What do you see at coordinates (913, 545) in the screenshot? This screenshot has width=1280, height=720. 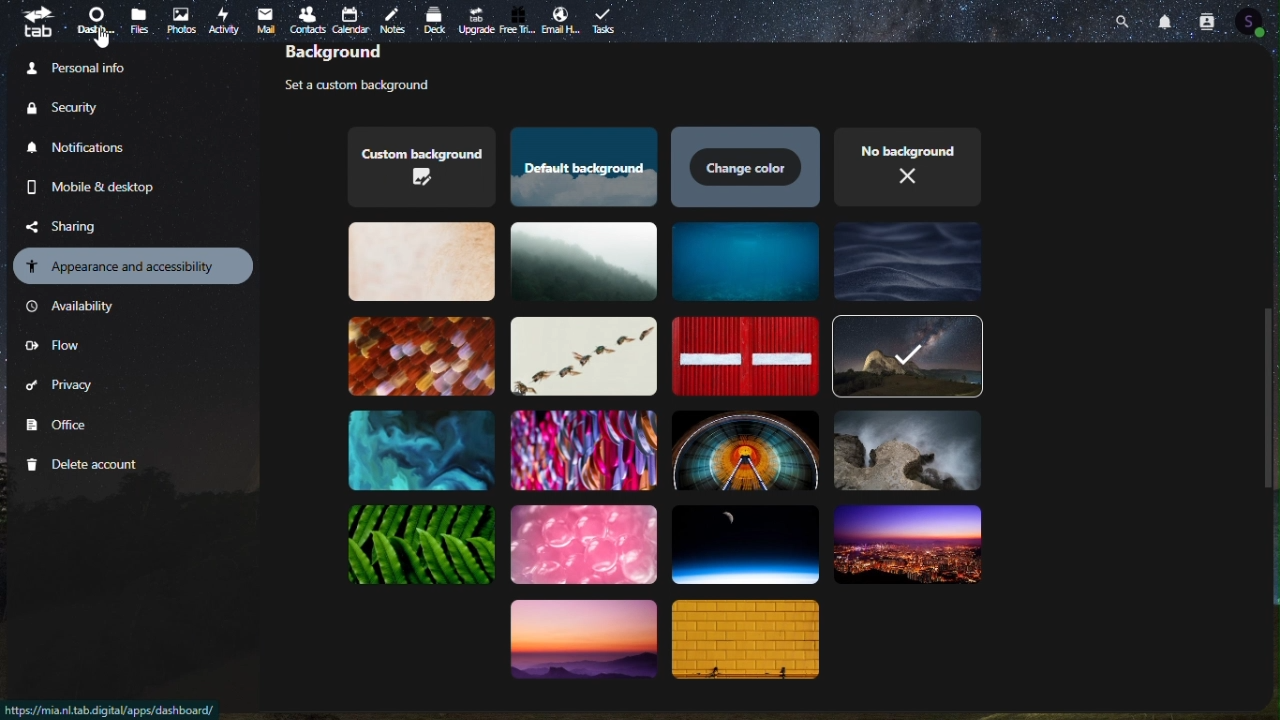 I see `Themes` at bounding box center [913, 545].